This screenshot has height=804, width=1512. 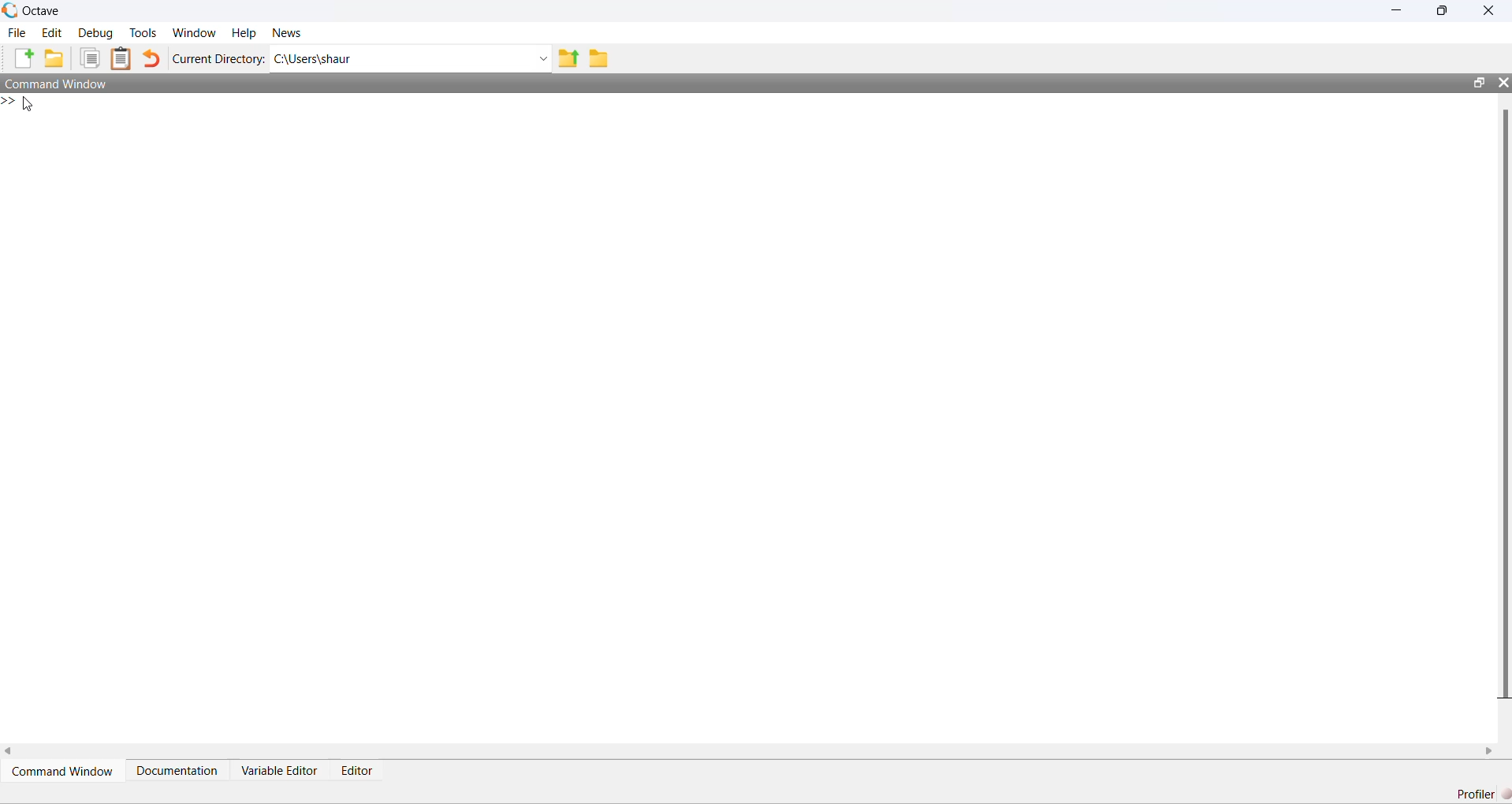 What do you see at coordinates (143, 33) in the screenshot?
I see `Tools.` at bounding box center [143, 33].